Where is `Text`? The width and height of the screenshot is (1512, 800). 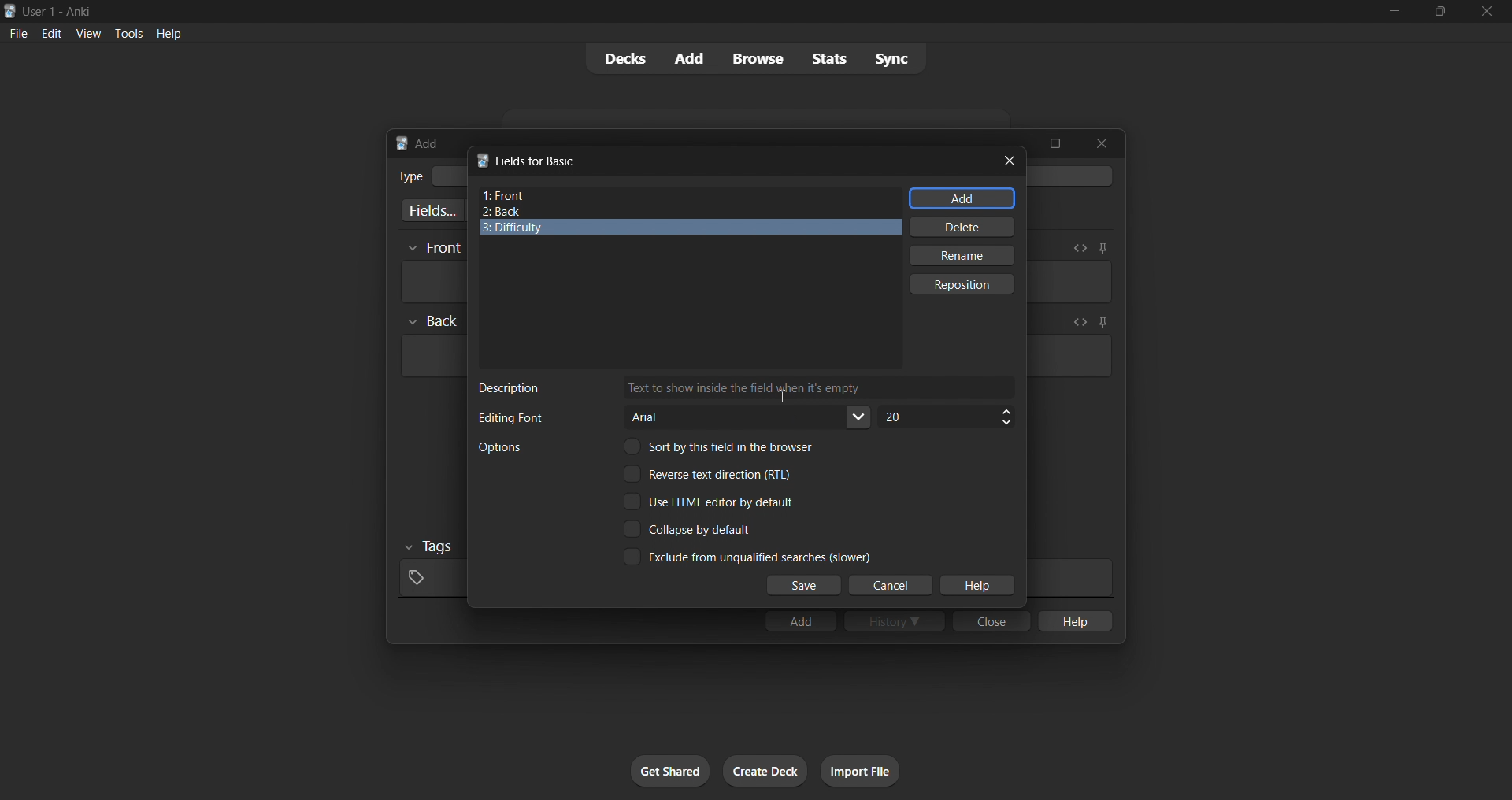 Text is located at coordinates (510, 388).